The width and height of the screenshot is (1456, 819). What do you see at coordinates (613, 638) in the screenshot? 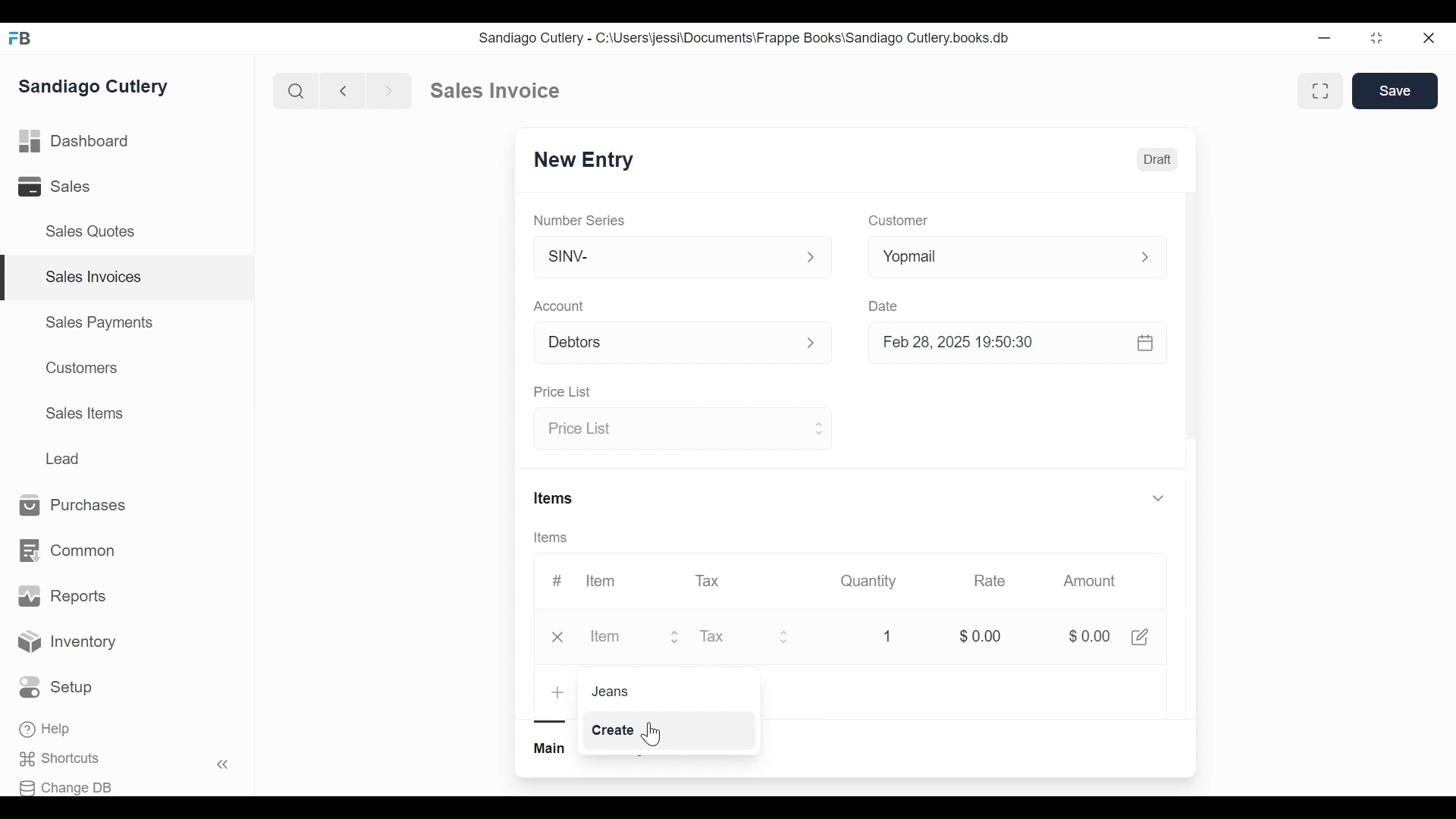
I see `Item ` at bounding box center [613, 638].